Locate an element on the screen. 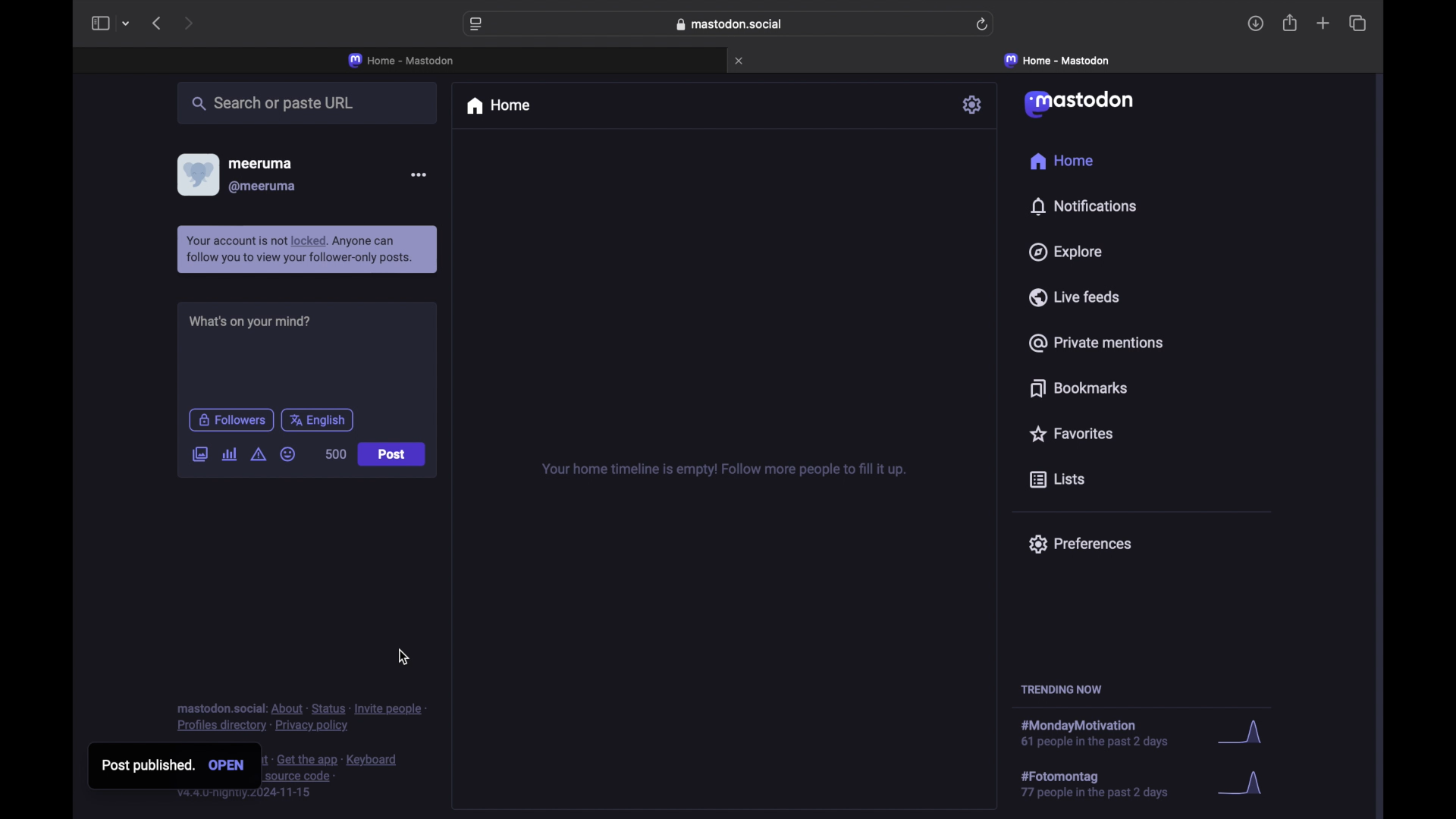 This screenshot has width=1456, height=819. home - mastodon is located at coordinates (402, 59).